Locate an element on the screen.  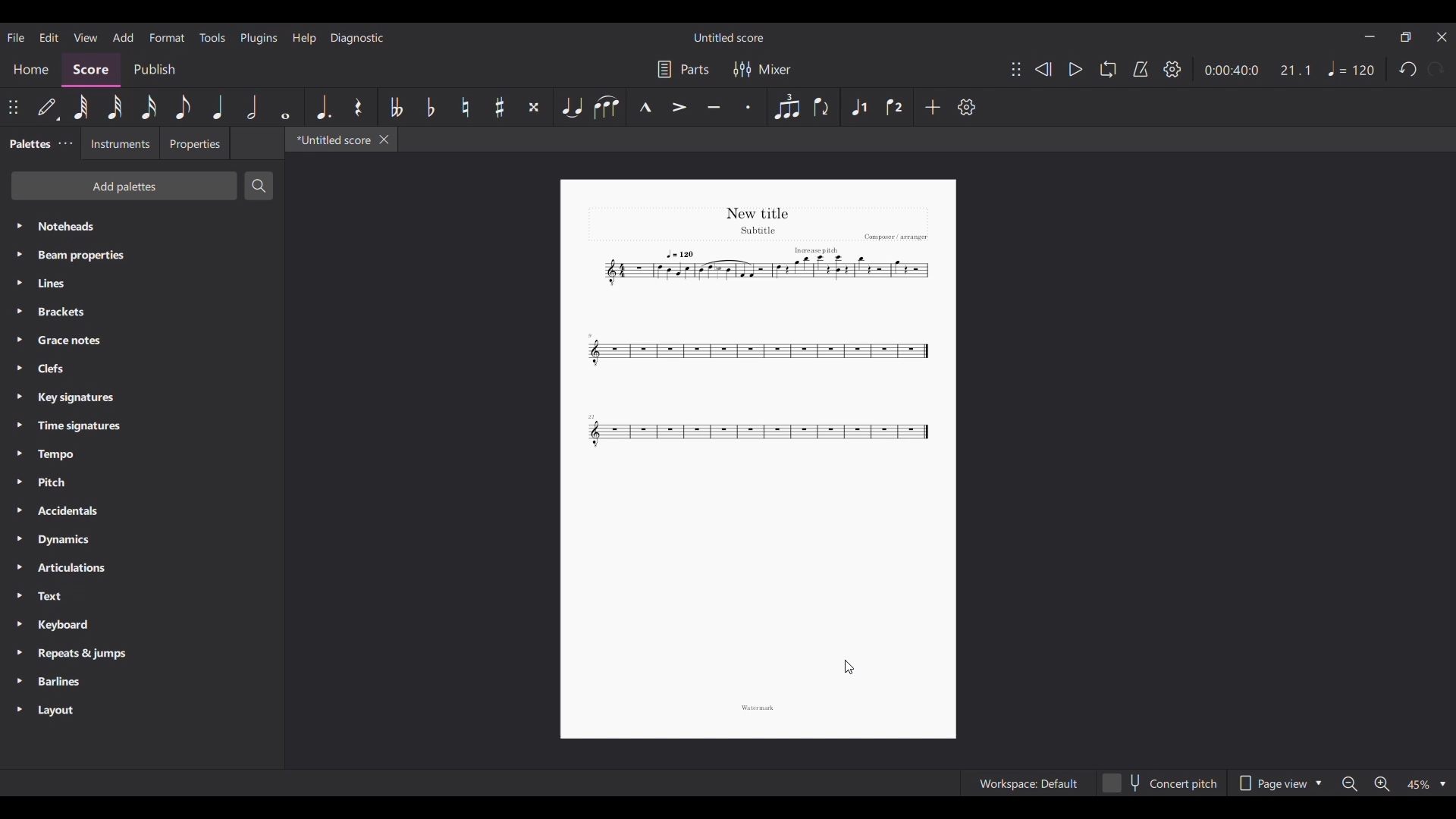
Lines is located at coordinates (142, 284).